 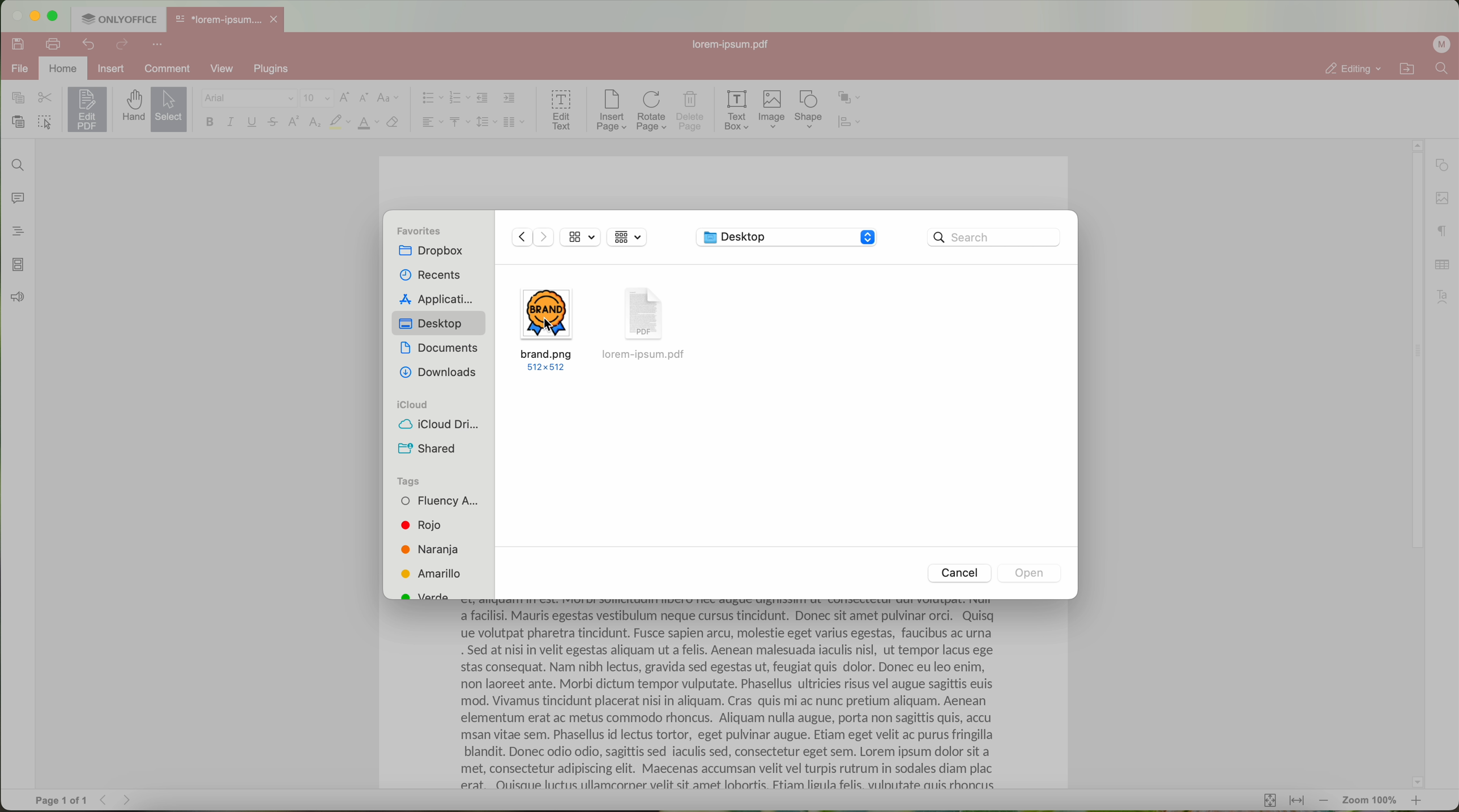 What do you see at coordinates (226, 69) in the screenshot?
I see `view` at bounding box center [226, 69].